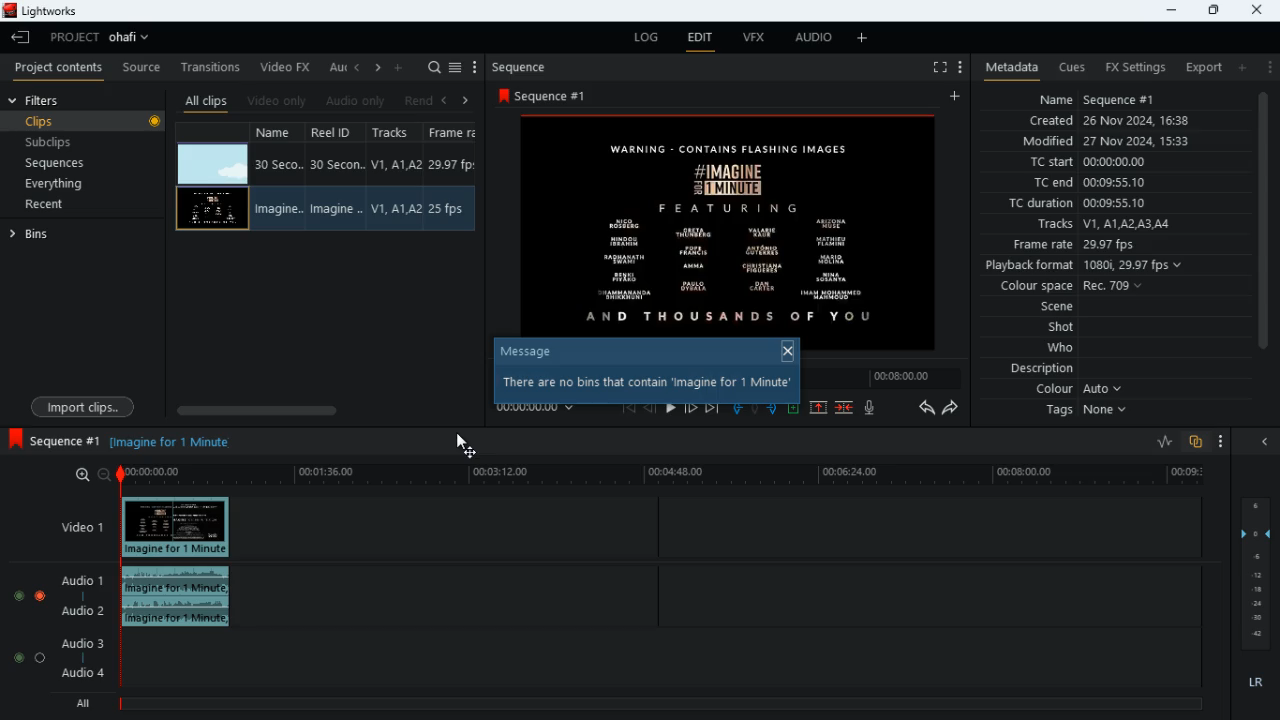 Image resolution: width=1280 pixels, height=720 pixels. Describe the element at coordinates (628, 407) in the screenshot. I see `beggining` at that location.